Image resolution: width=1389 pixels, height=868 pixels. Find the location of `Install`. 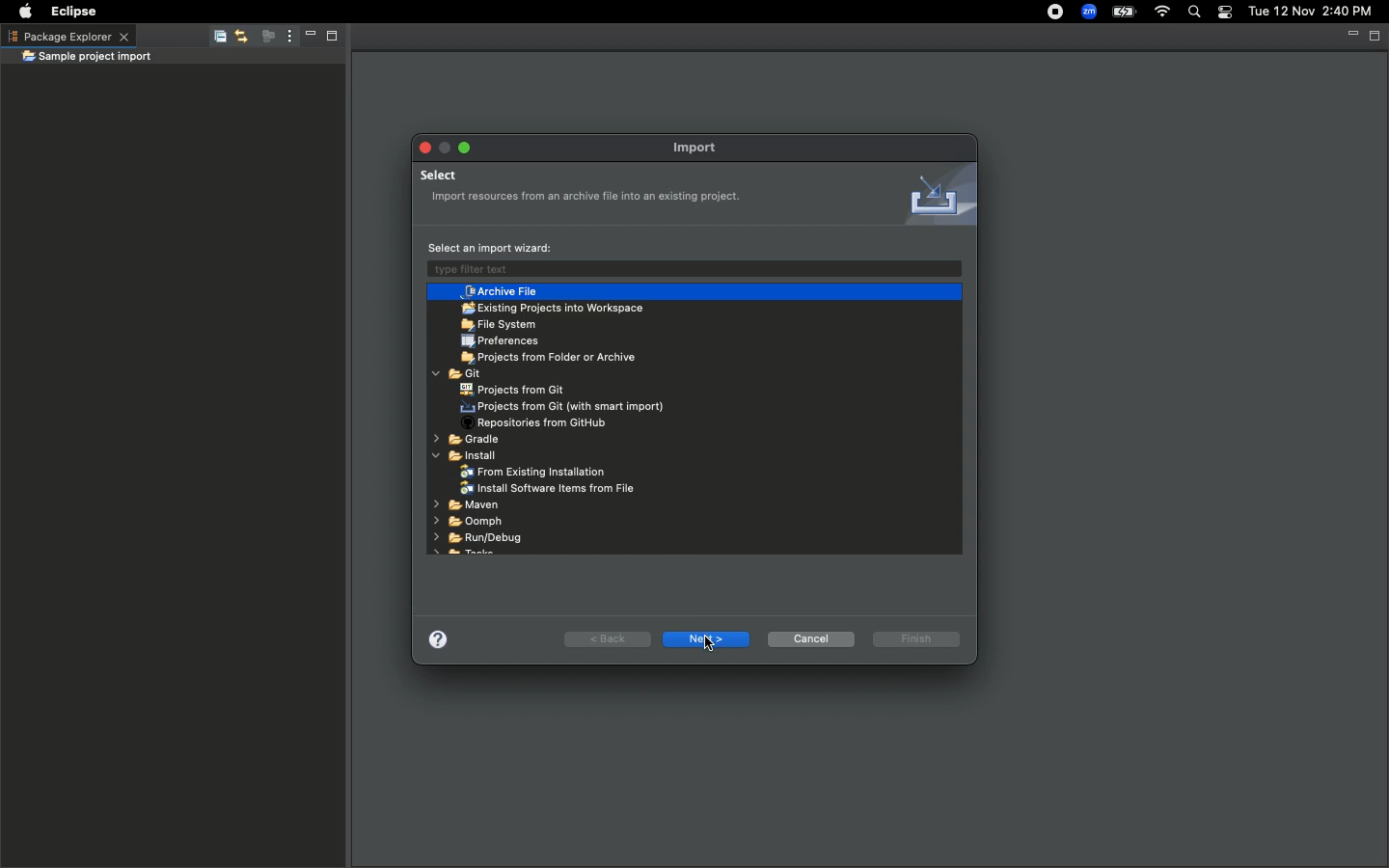

Install is located at coordinates (470, 457).